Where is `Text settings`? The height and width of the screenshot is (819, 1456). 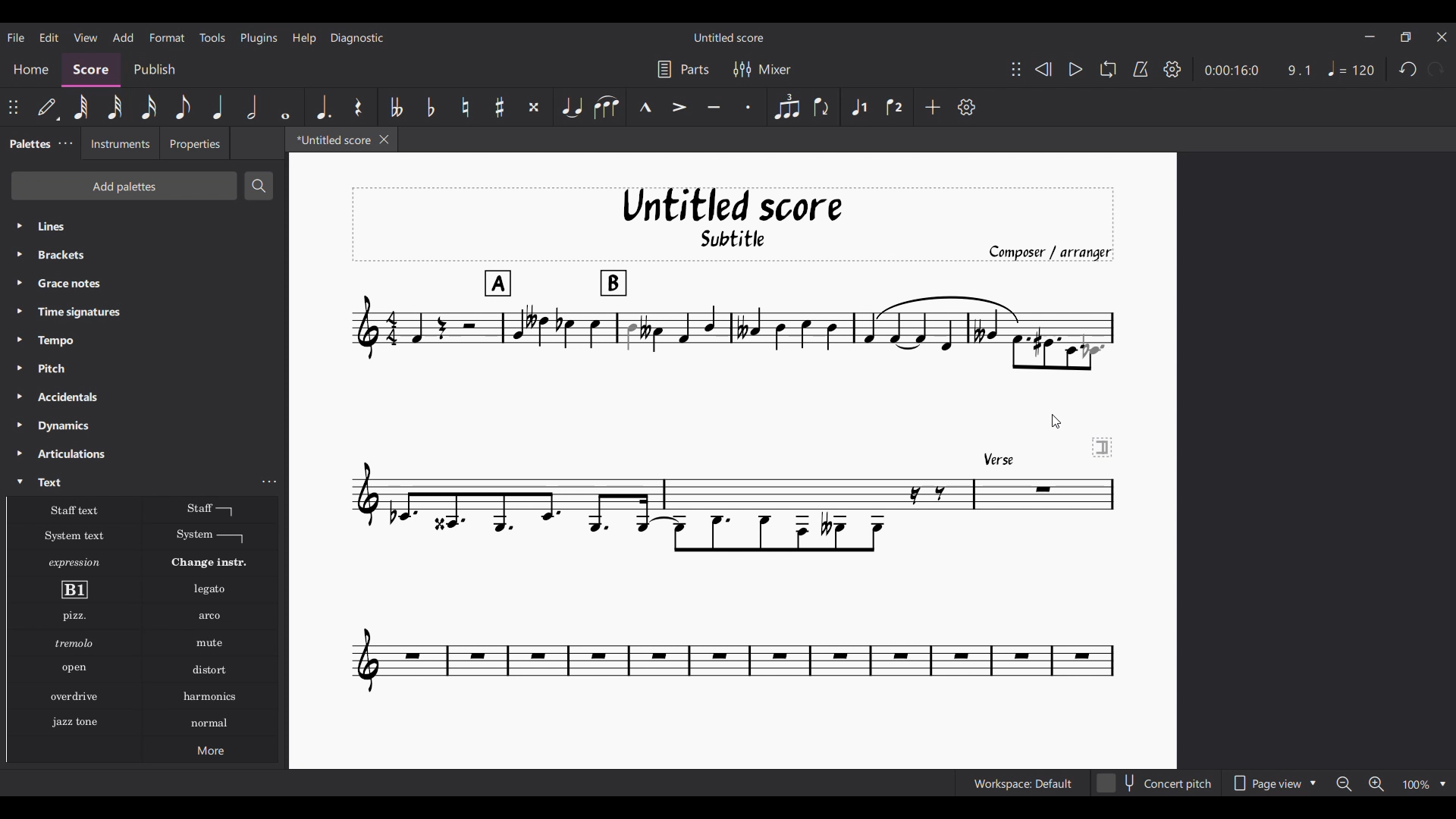 Text settings is located at coordinates (269, 482).